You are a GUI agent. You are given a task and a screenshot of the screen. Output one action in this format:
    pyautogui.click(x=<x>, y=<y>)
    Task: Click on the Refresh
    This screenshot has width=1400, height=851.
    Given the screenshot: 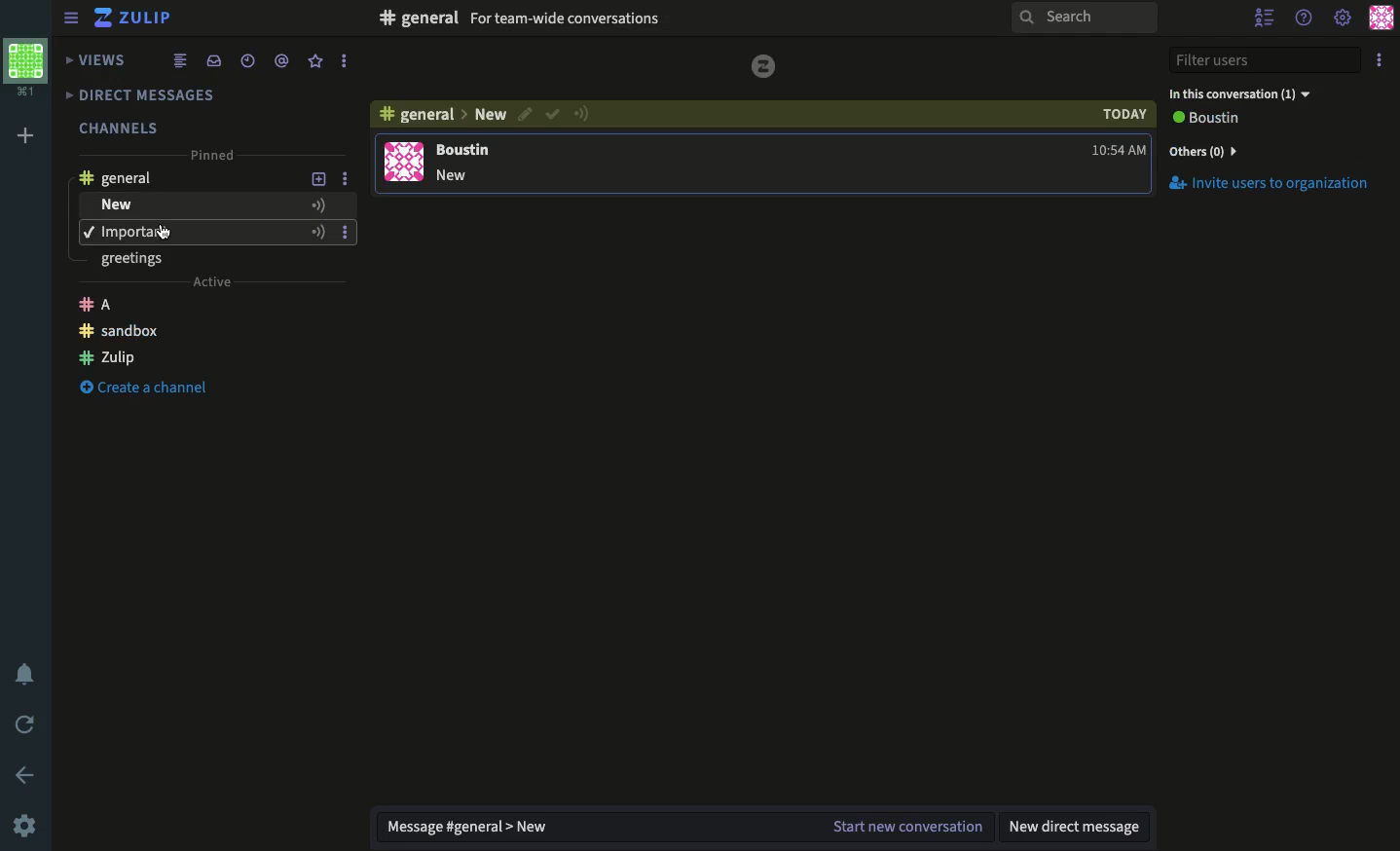 What is the action you would take?
    pyautogui.click(x=27, y=724)
    